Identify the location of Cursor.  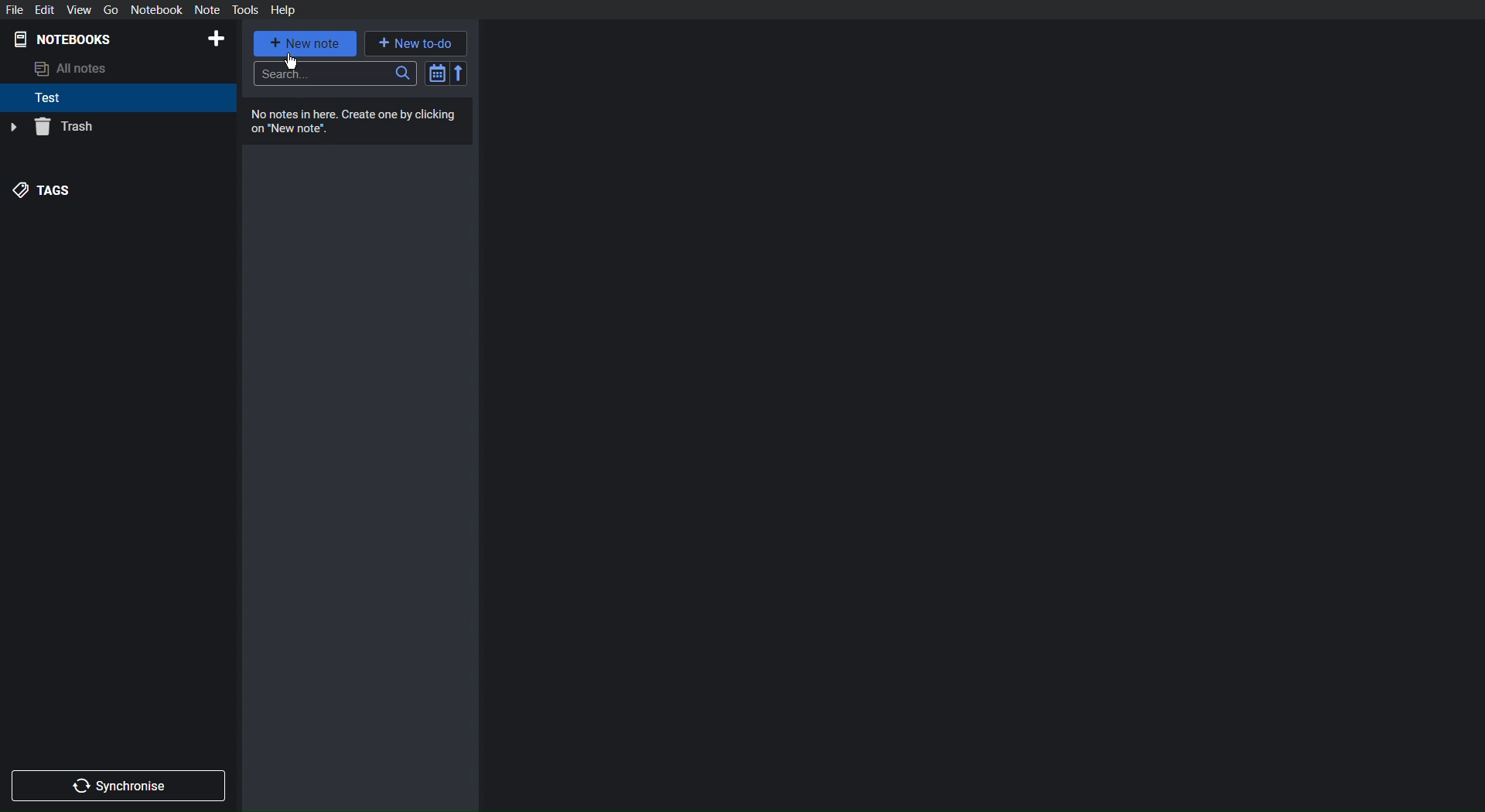
(295, 63).